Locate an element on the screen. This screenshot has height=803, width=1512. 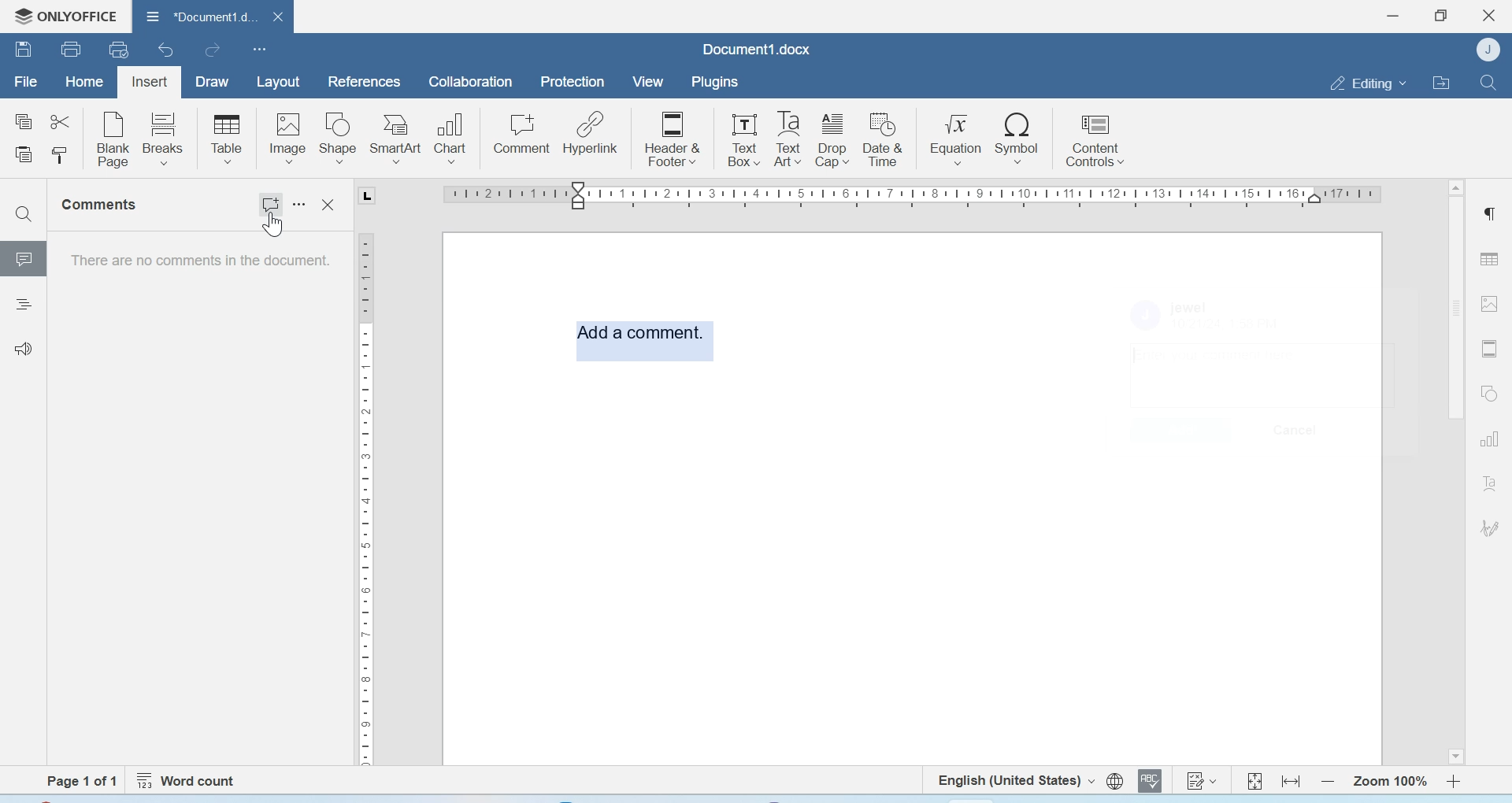
Graphs is located at coordinates (1489, 439).